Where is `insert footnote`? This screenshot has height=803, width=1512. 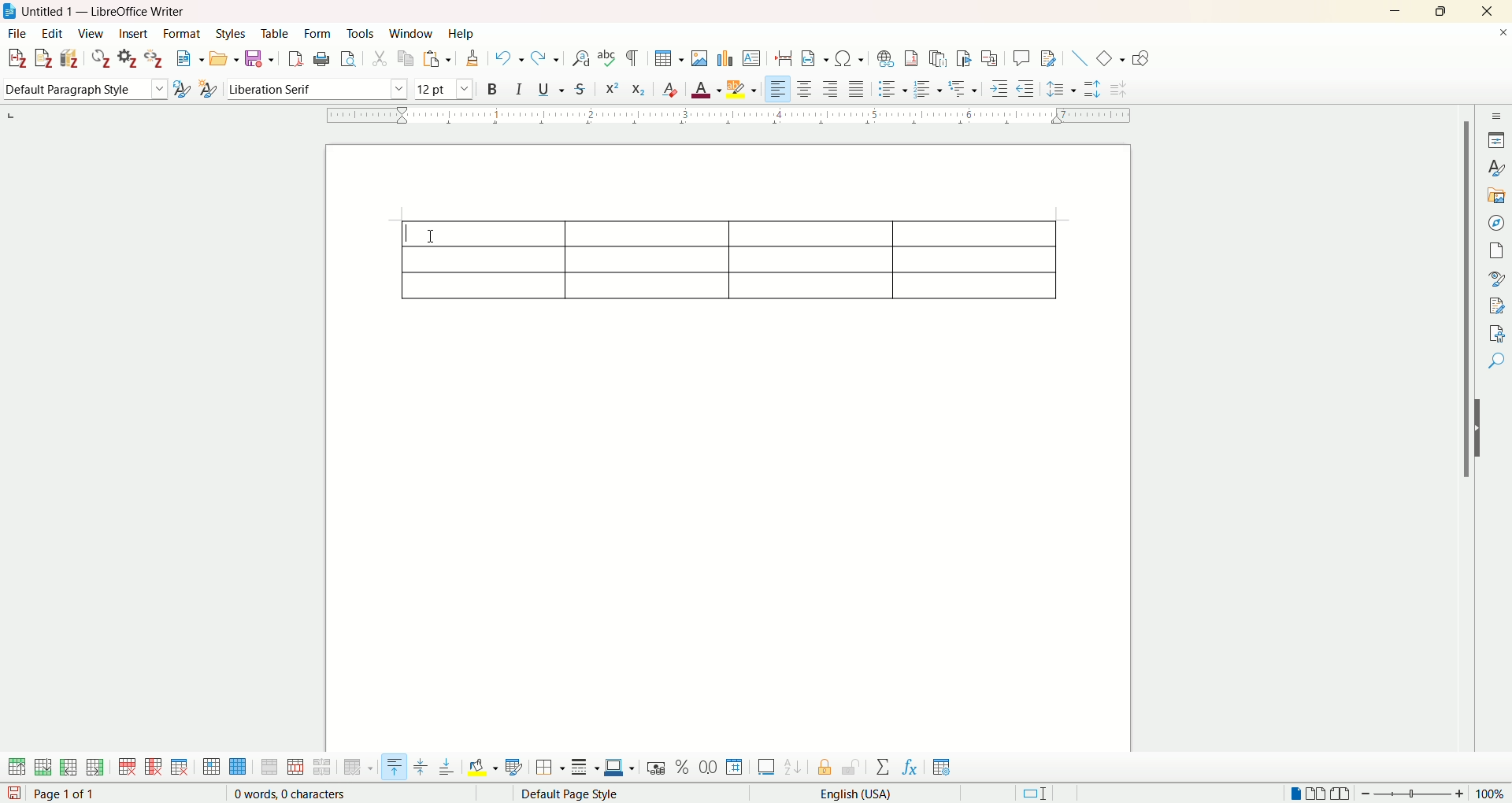 insert footnote is located at coordinates (913, 58).